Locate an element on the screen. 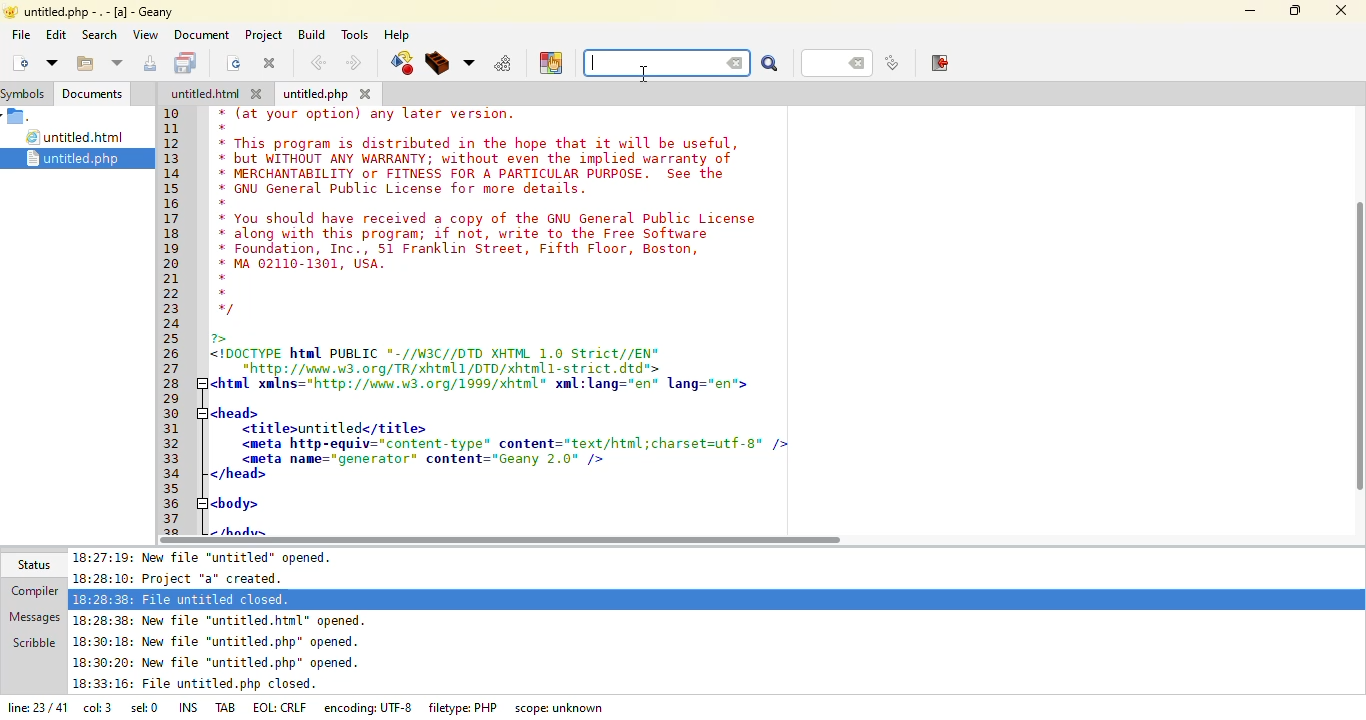  20 is located at coordinates (171, 262).